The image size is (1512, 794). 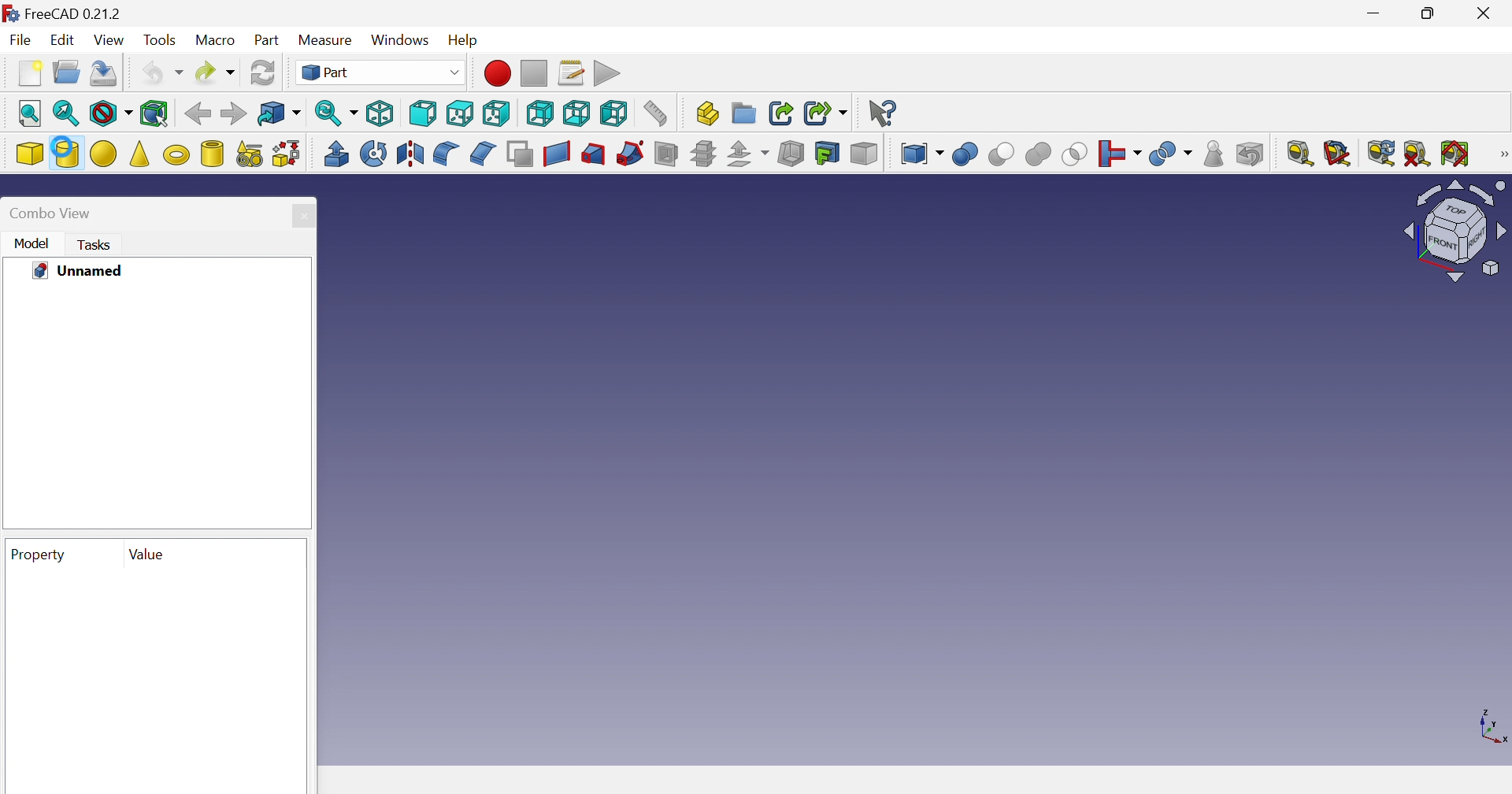 What do you see at coordinates (381, 113) in the screenshot?
I see `Isometric` at bounding box center [381, 113].